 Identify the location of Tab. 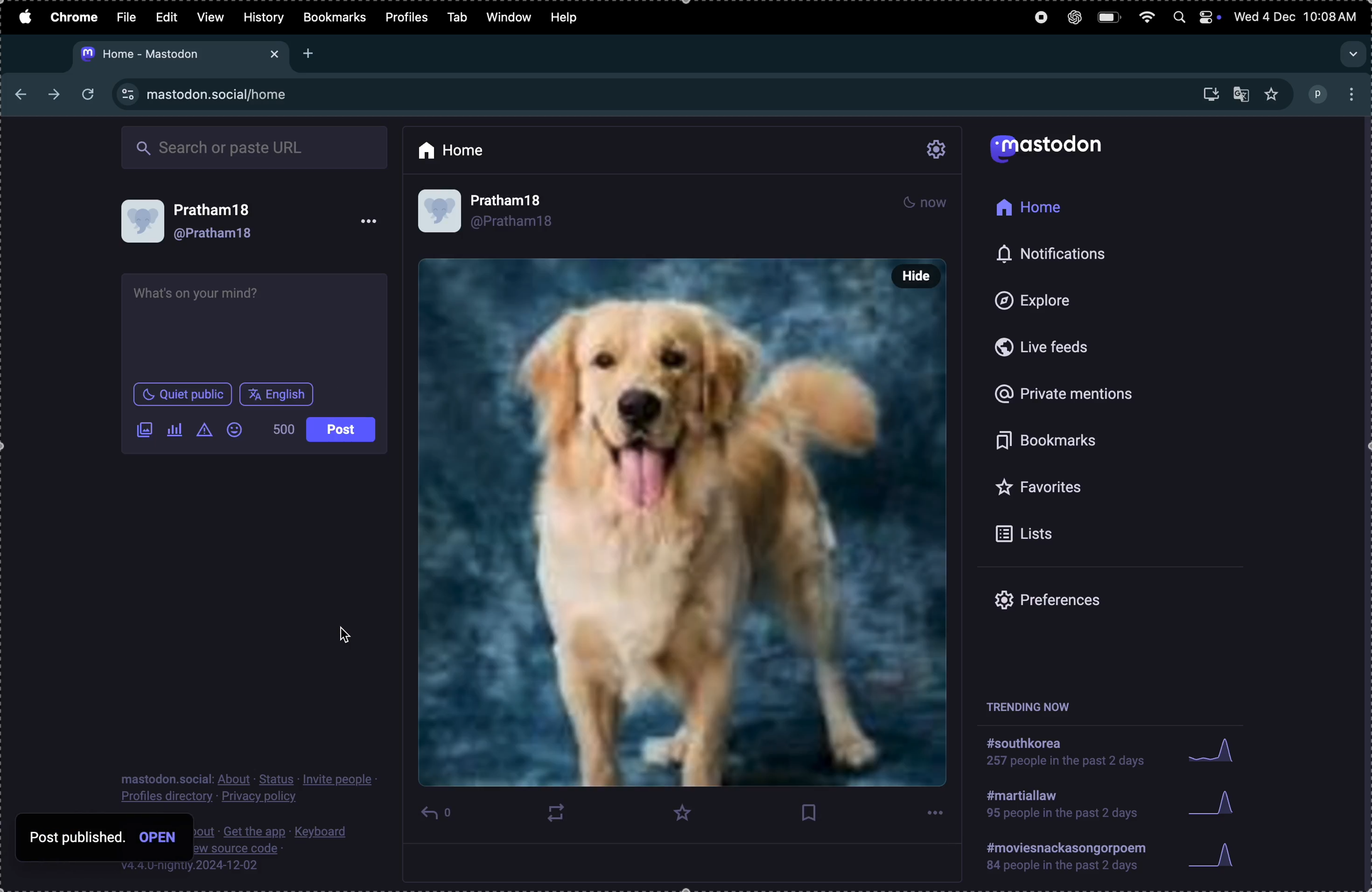
(457, 16).